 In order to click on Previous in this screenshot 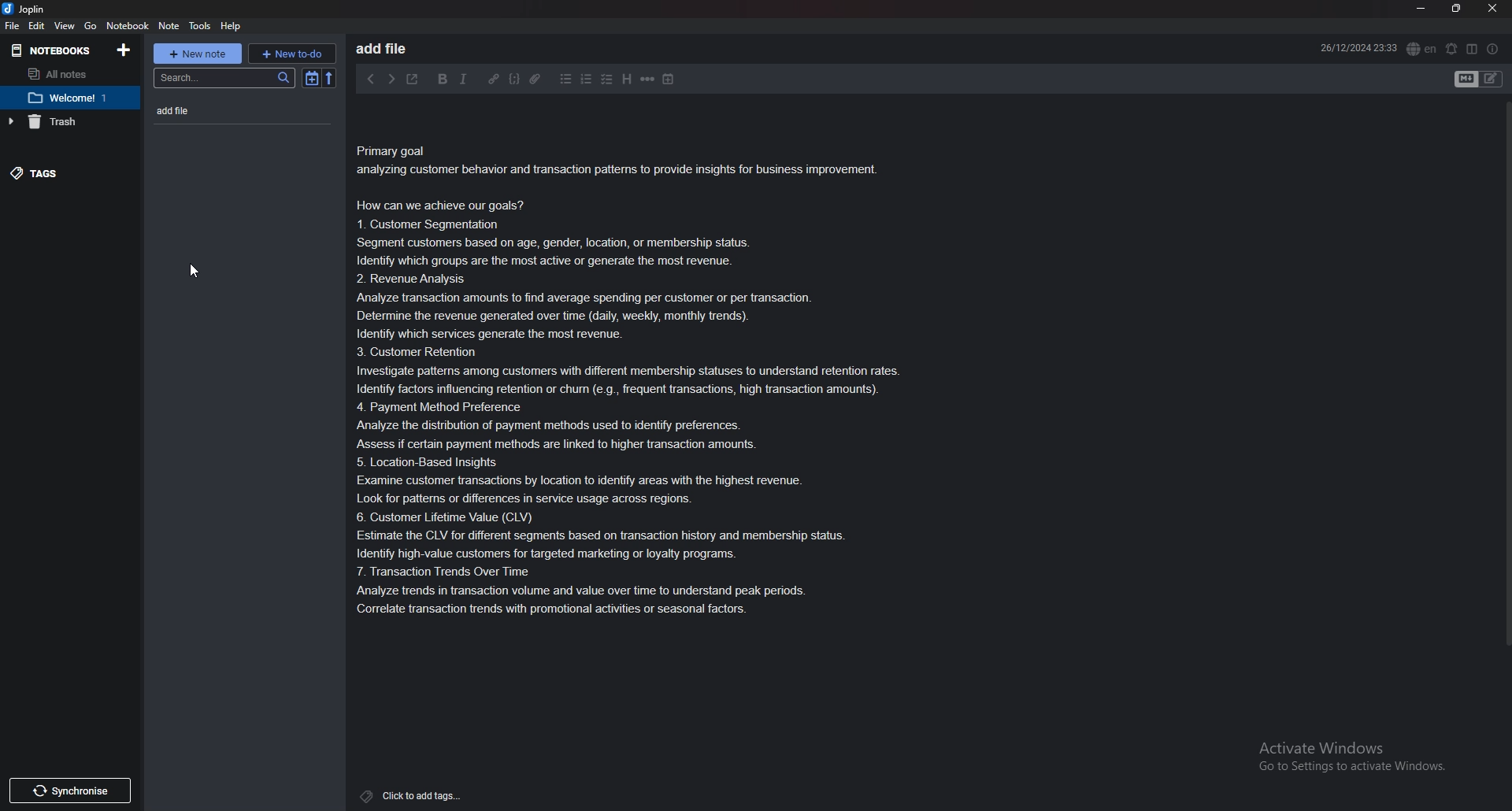, I will do `click(370, 79)`.